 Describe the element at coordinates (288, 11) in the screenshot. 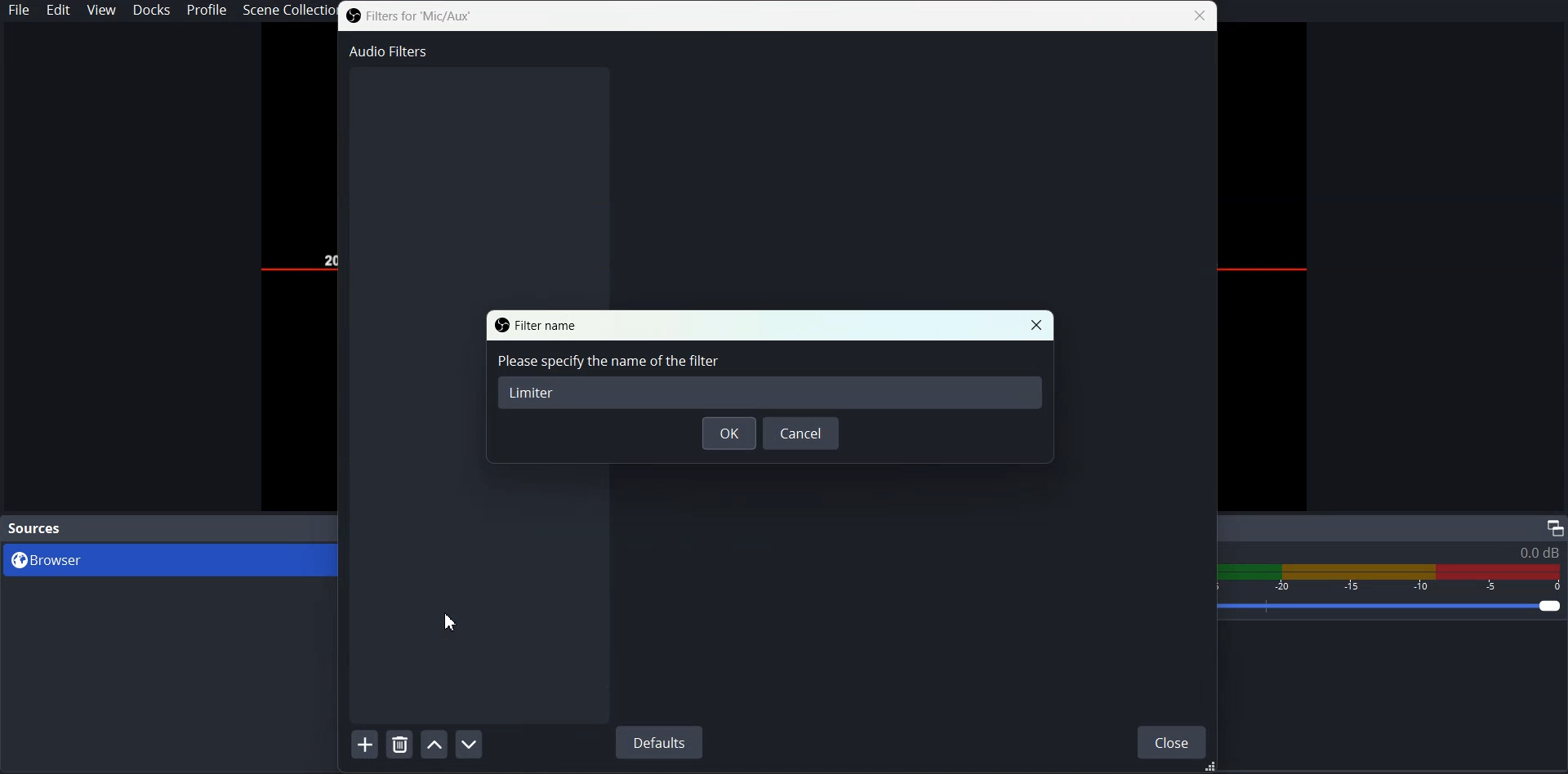

I see `Scene Collection` at that location.